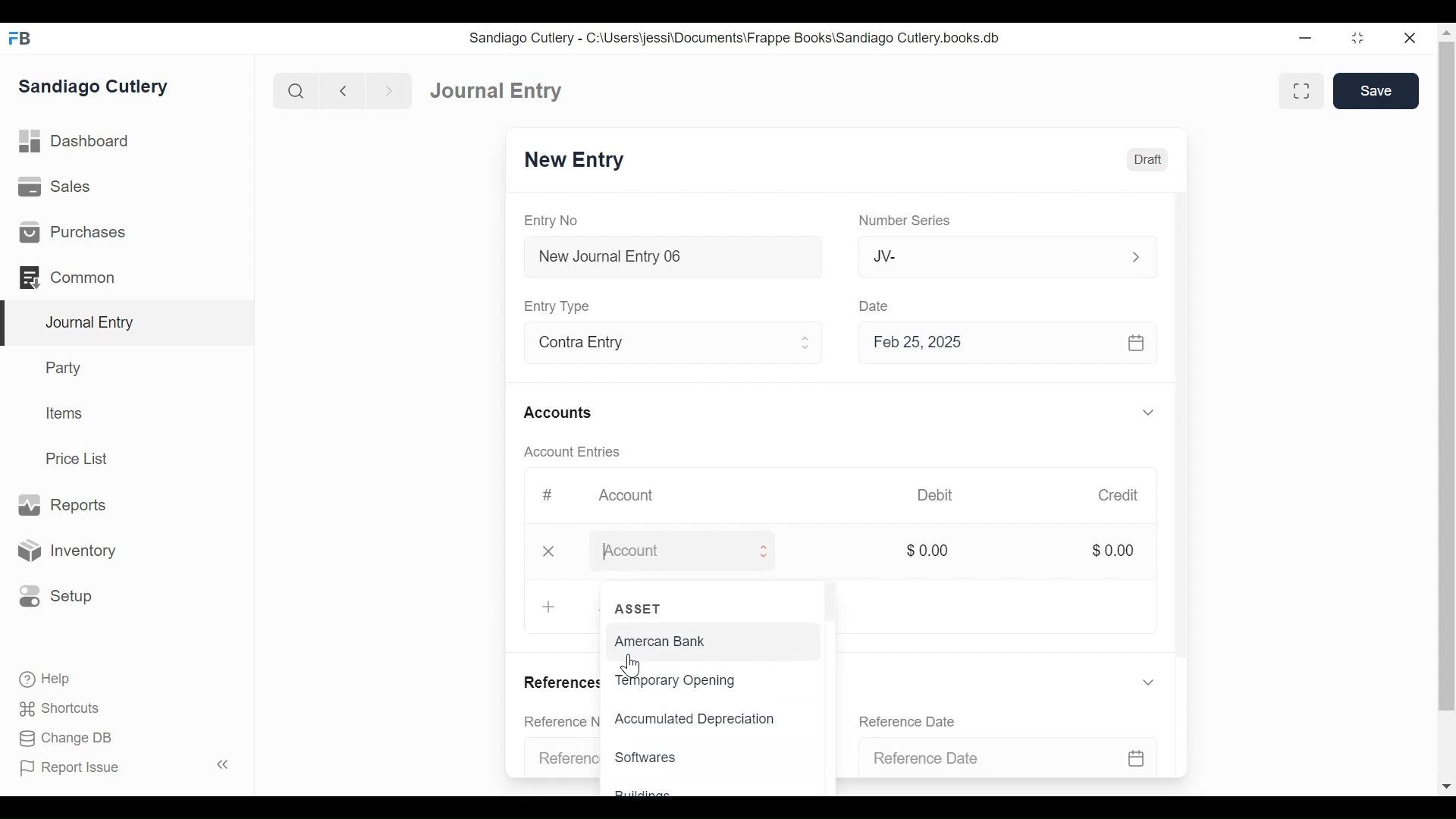 Image resolution: width=1456 pixels, height=819 pixels. Describe the element at coordinates (644, 759) in the screenshot. I see `Softwares` at that location.